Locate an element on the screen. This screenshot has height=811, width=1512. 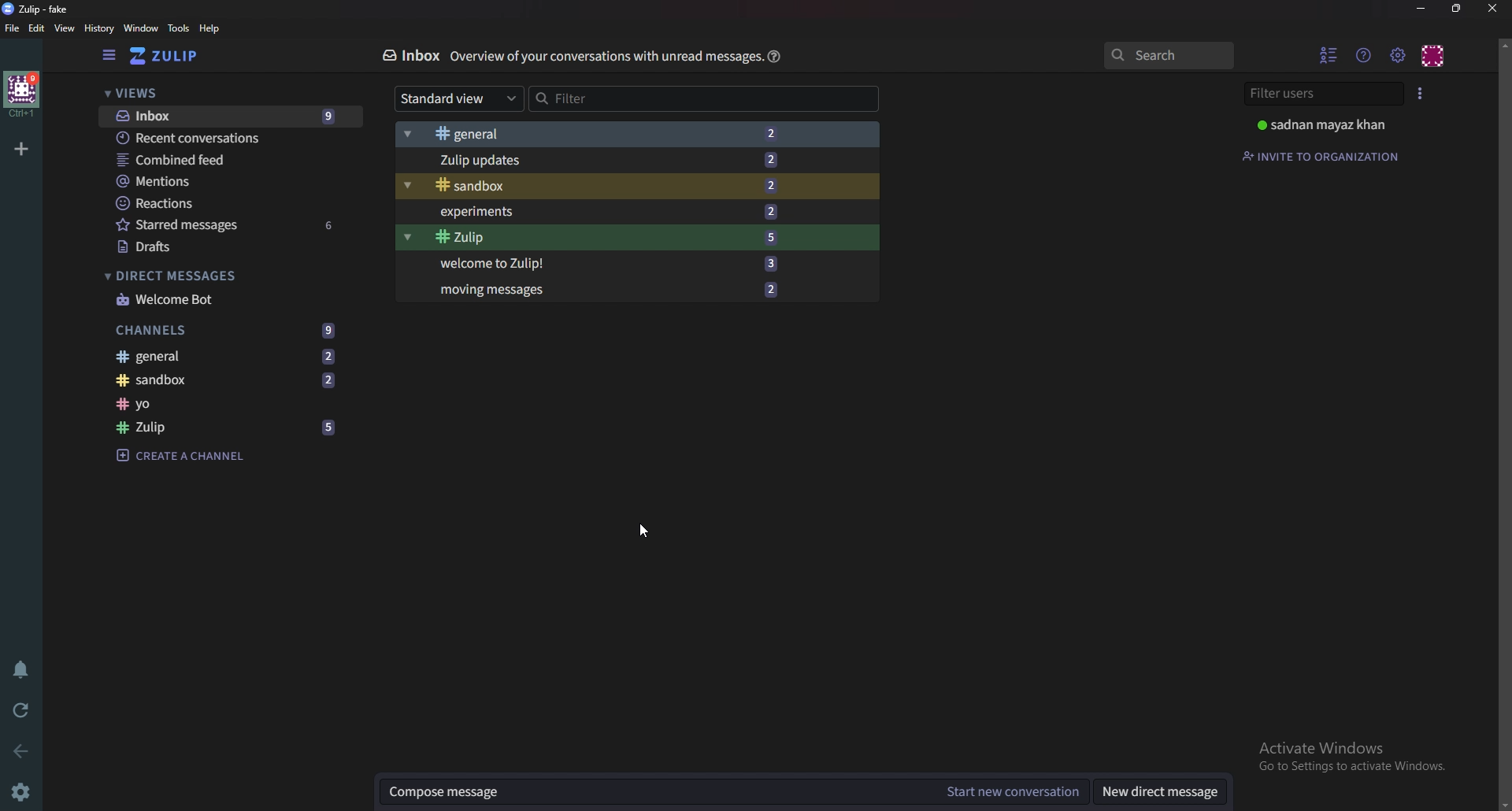
Inbox is located at coordinates (228, 117).